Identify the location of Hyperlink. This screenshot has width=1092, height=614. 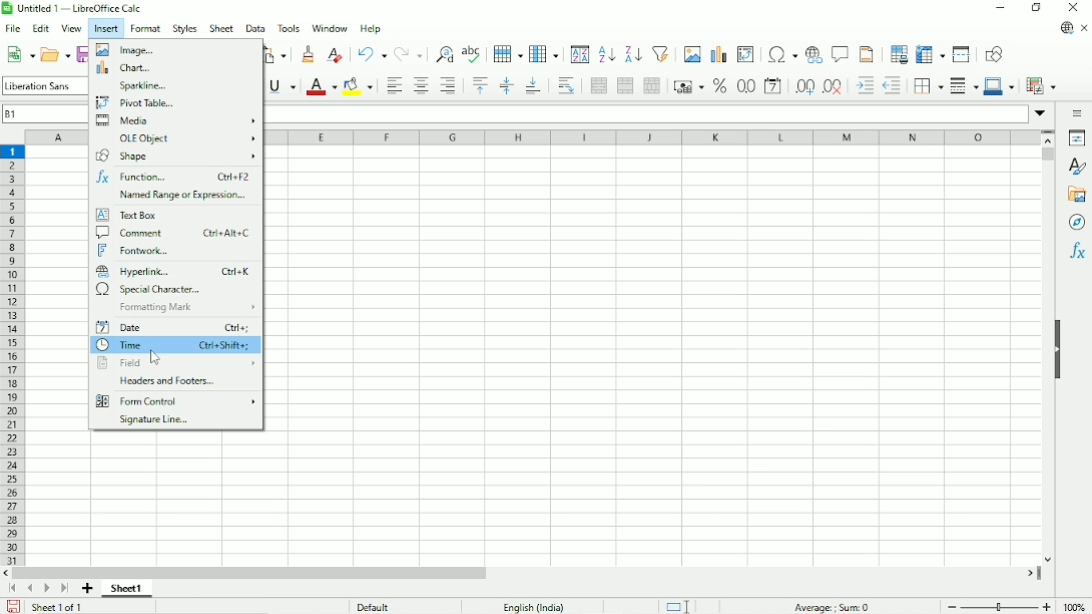
(174, 270).